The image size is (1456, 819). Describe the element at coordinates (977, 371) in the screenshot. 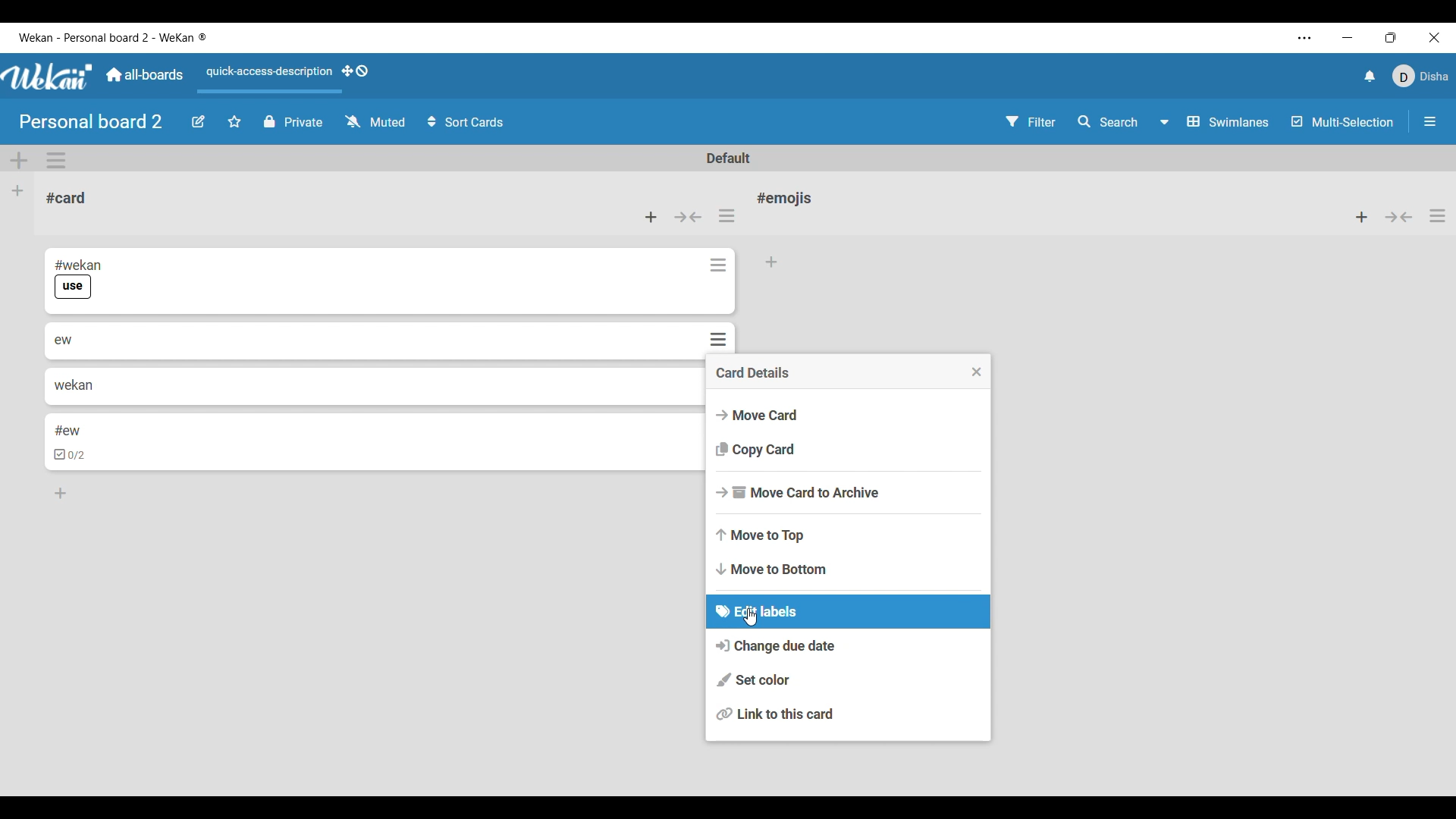

I see `Close menu` at that location.